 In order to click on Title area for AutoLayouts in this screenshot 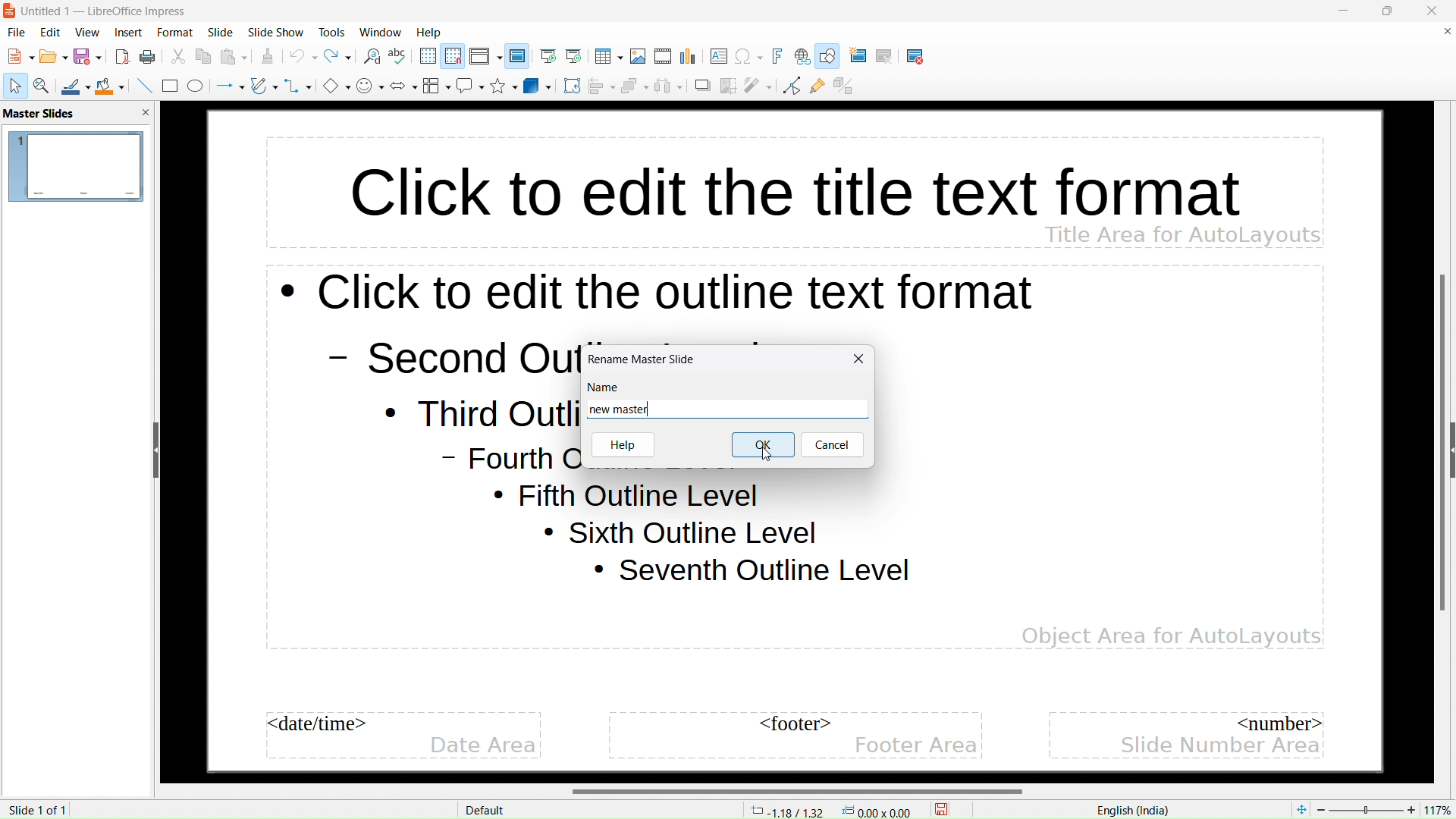, I will do `click(1182, 234)`.